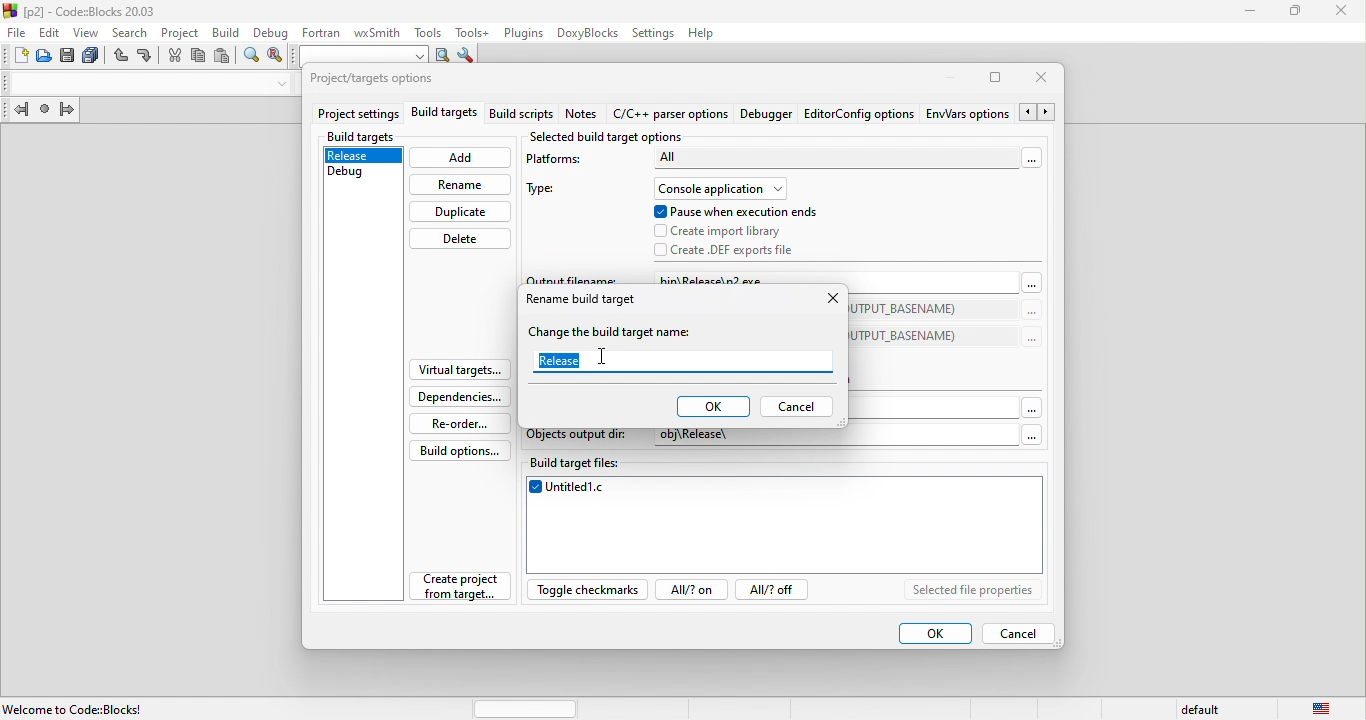 This screenshot has width=1366, height=720. I want to click on save, so click(69, 57).